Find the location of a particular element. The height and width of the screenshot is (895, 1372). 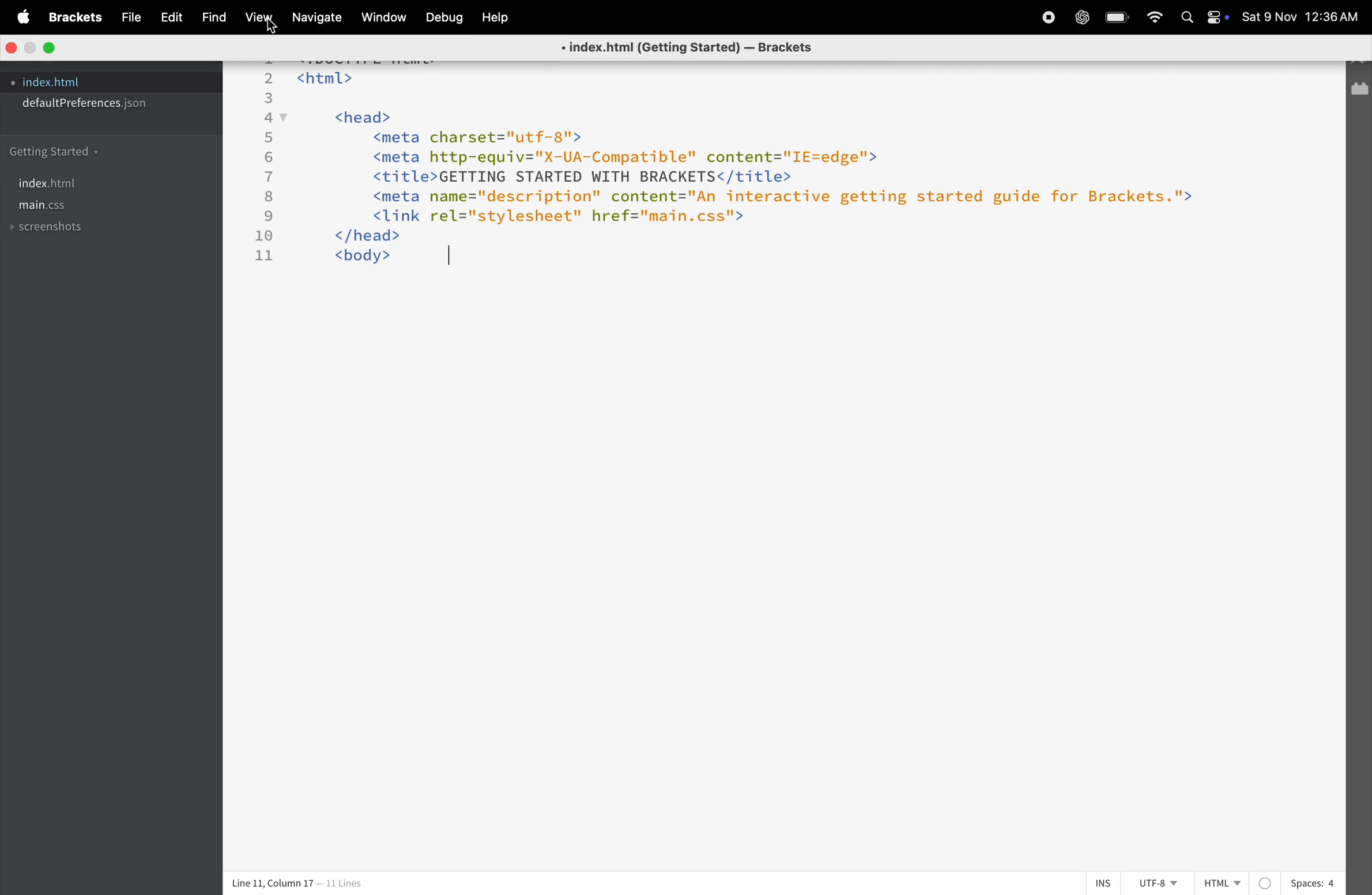

view is located at coordinates (260, 18).